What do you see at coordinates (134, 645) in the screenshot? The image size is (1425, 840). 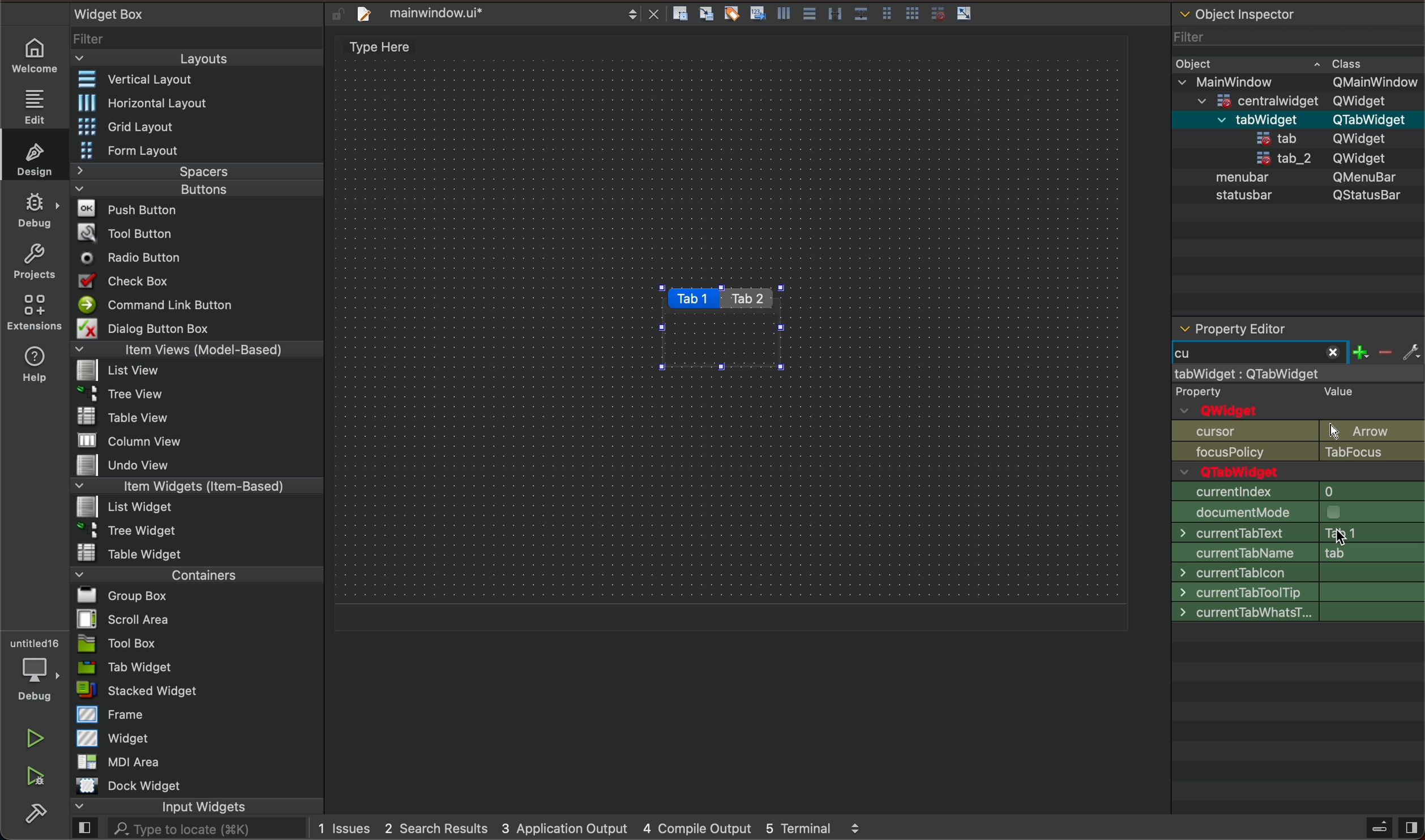 I see `Tool Box` at bounding box center [134, 645].